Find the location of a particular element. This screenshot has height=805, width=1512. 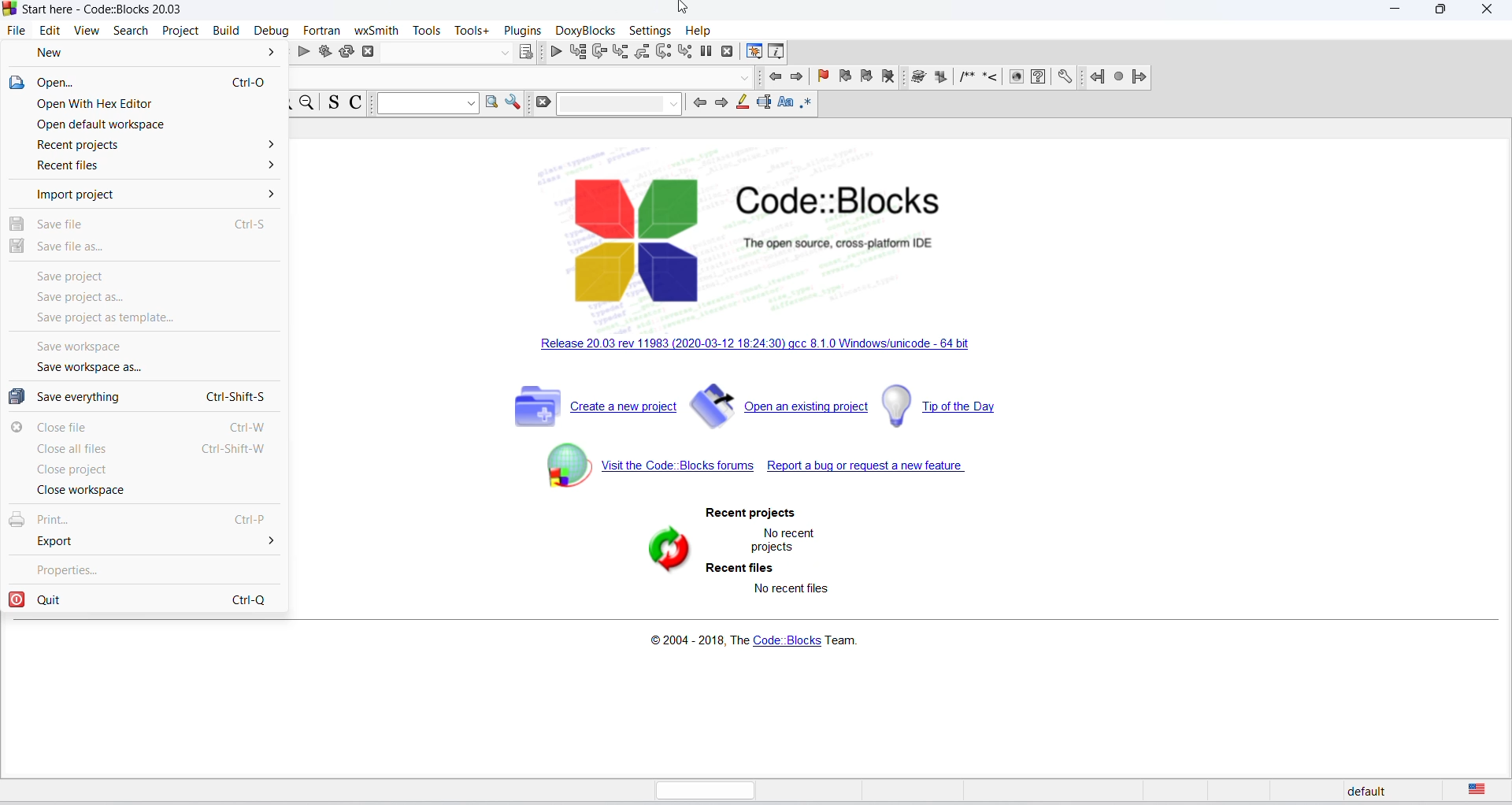

next line  is located at coordinates (598, 52).